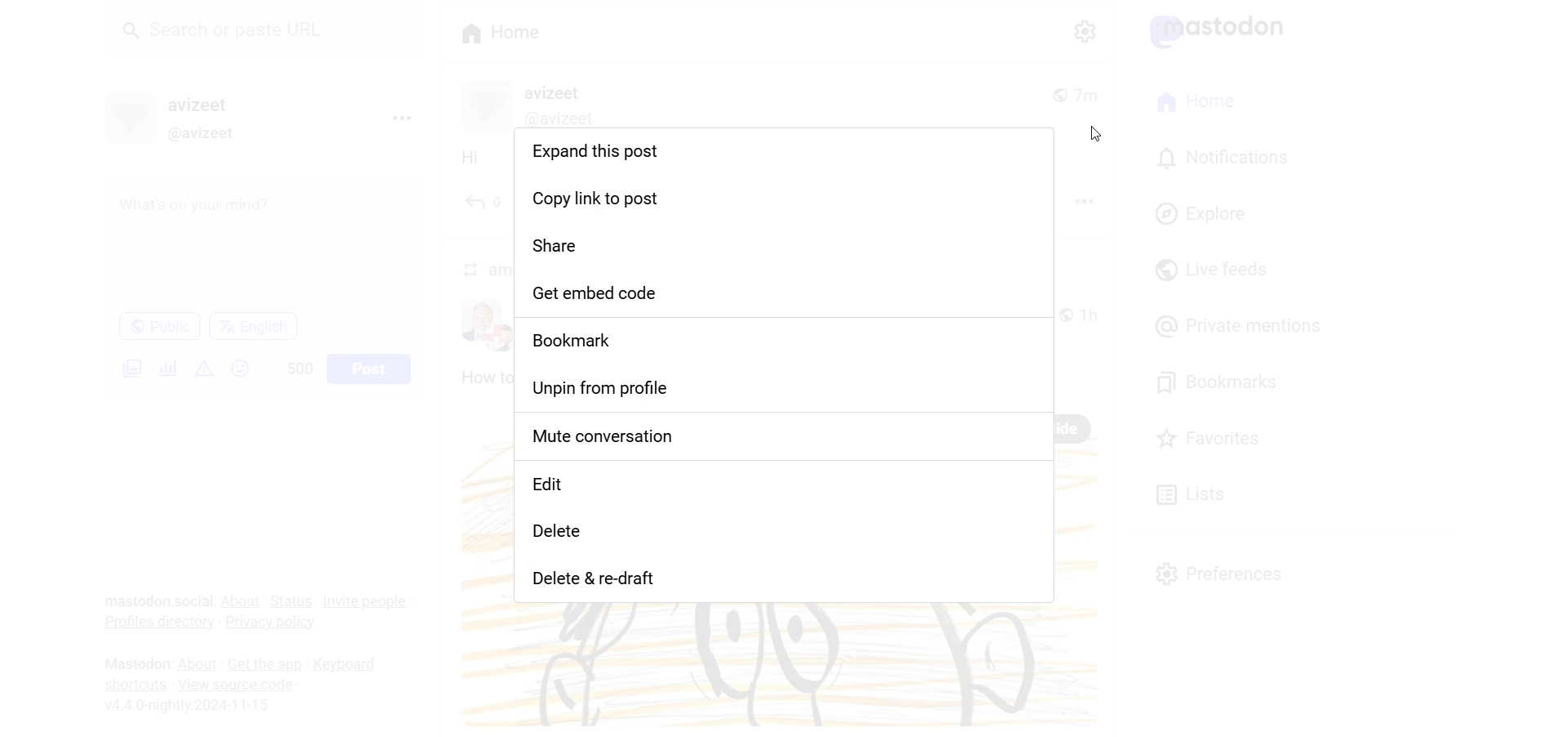  What do you see at coordinates (786, 294) in the screenshot?
I see `Get Embed Code` at bounding box center [786, 294].